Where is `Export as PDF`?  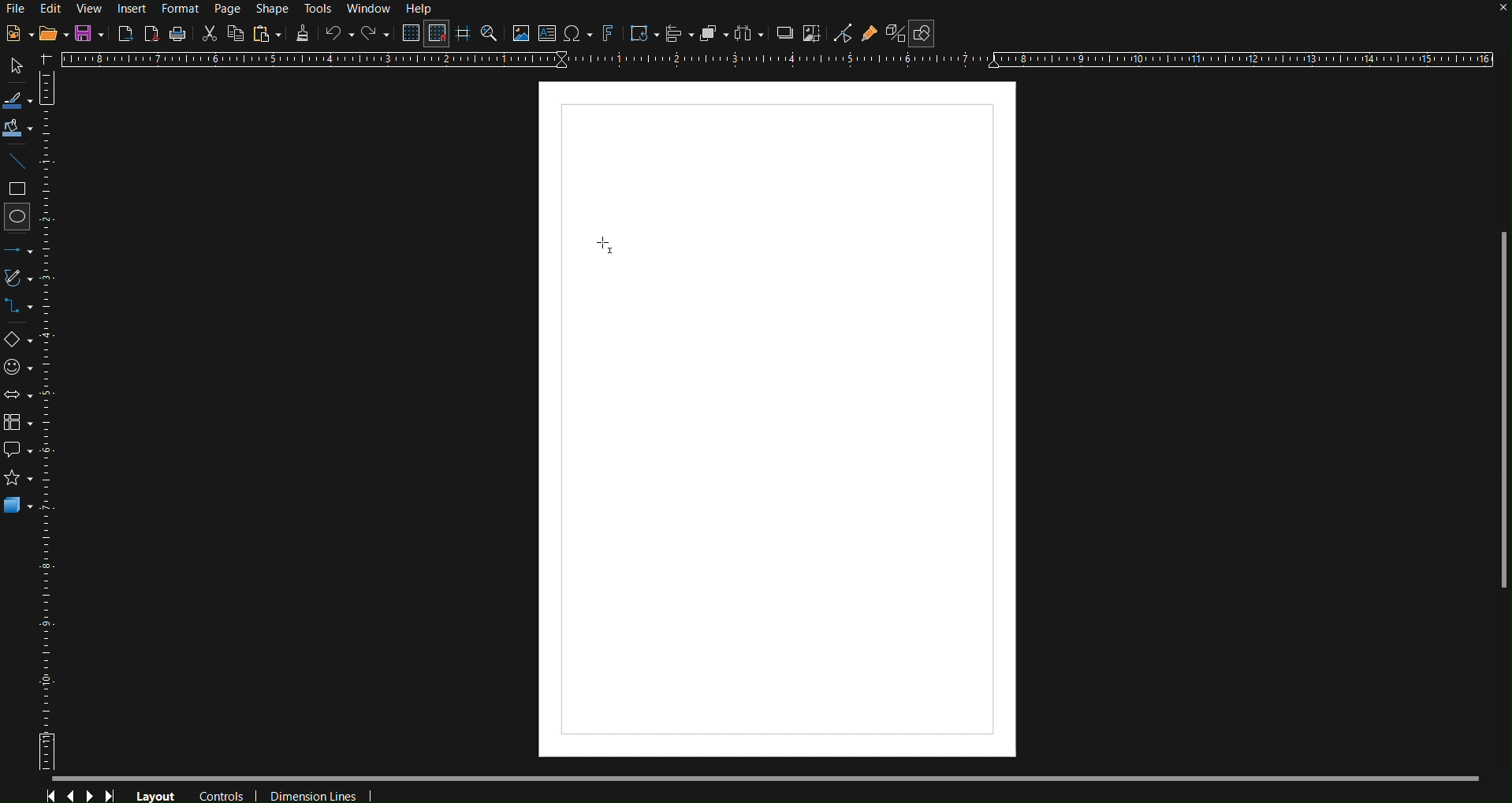
Export as PDF is located at coordinates (151, 33).